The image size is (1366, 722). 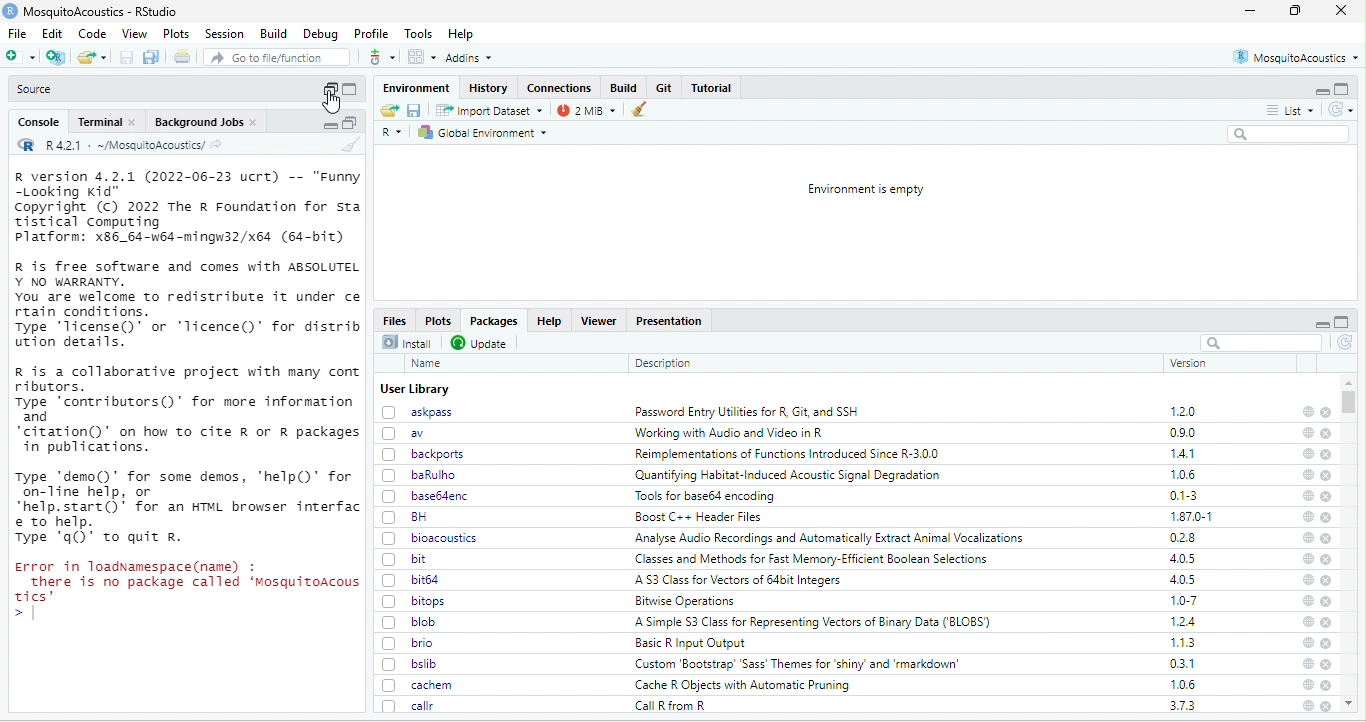 I want to click on close, so click(x=1326, y=497).